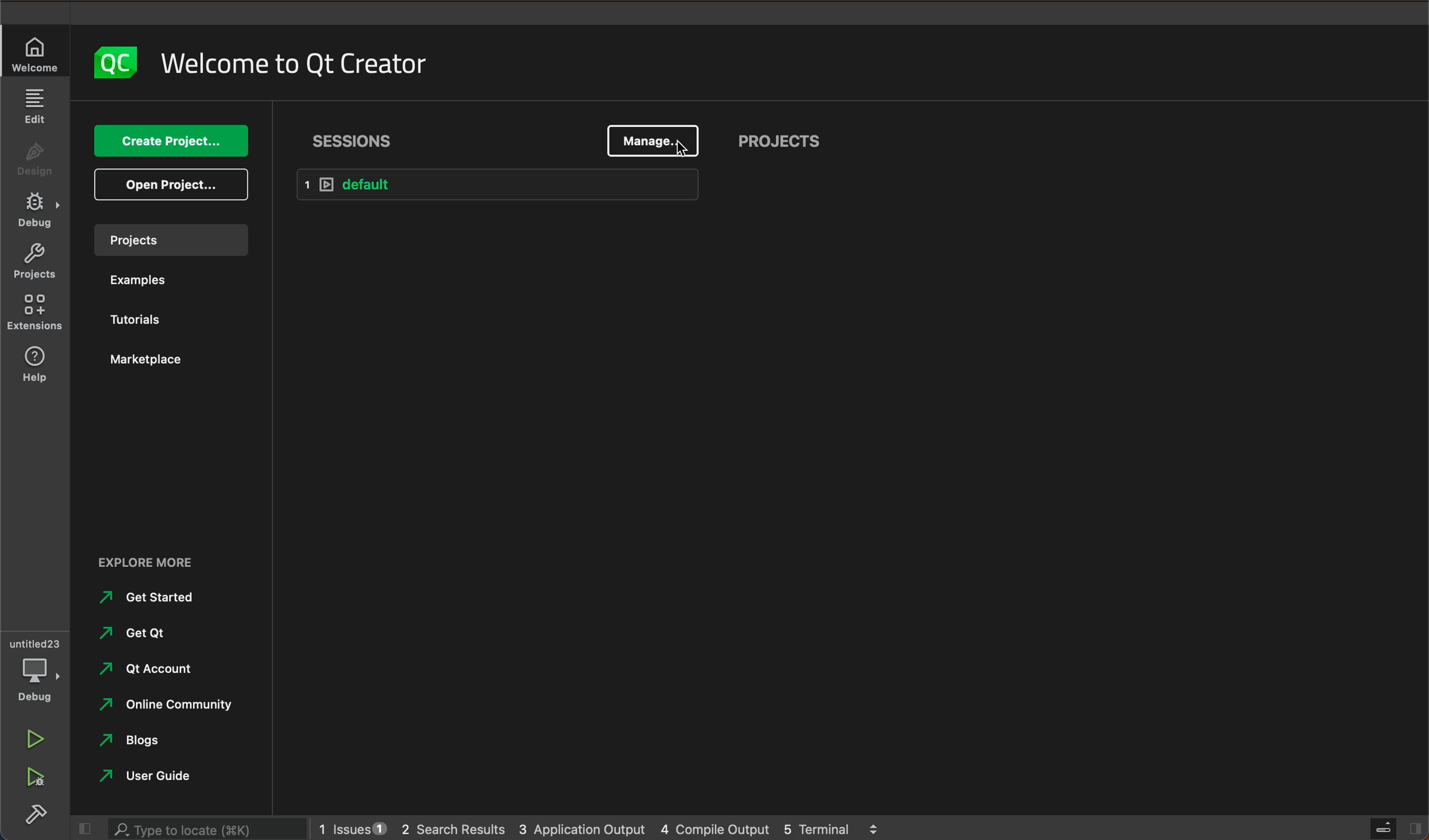  I want to click on cursor, so click(683, 150).